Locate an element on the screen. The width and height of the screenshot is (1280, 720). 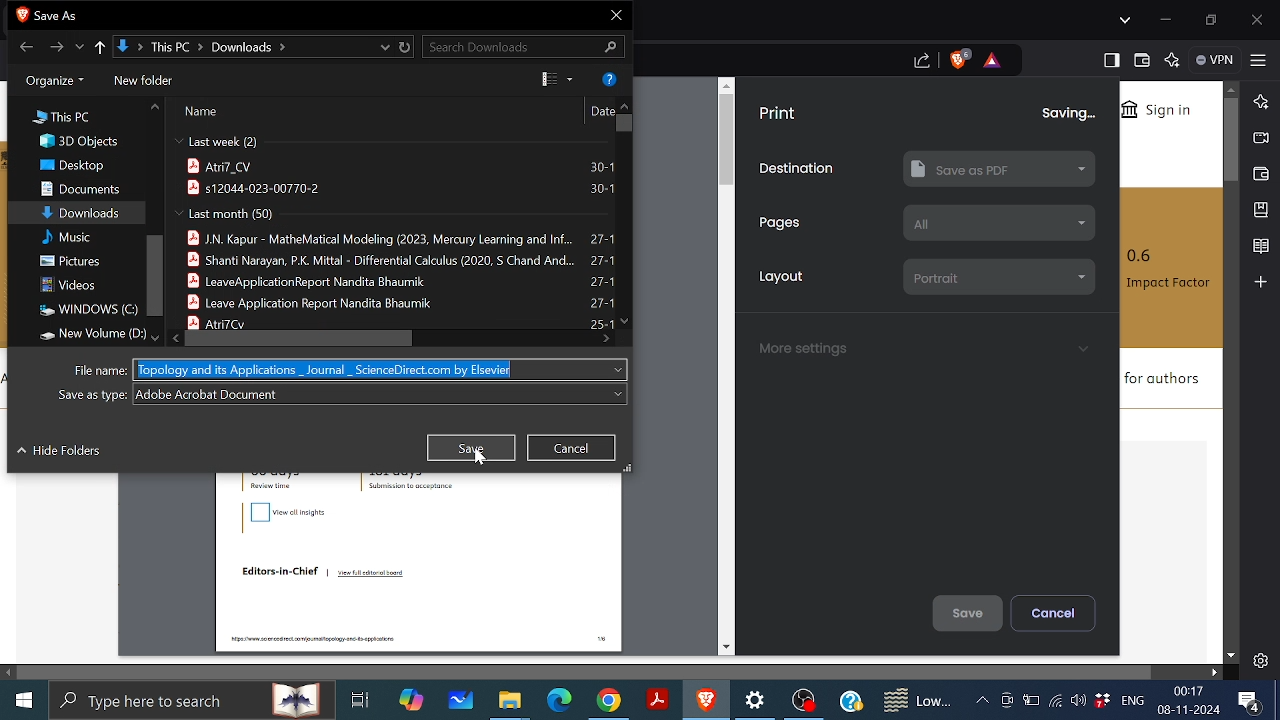
all is located at coordinates (1001, 222).